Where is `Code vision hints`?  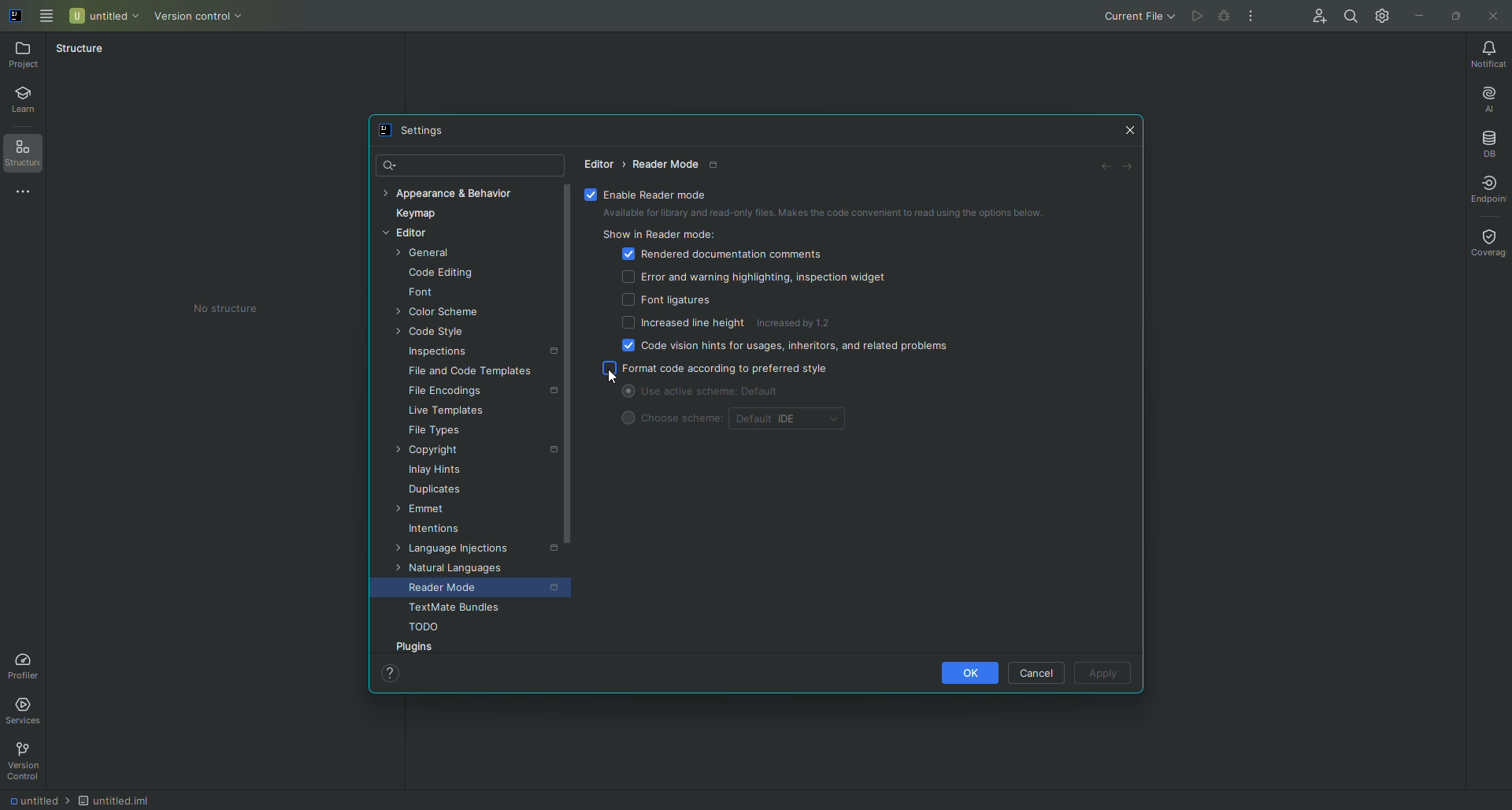 Code vision hints is located at coordinates (780, 349).